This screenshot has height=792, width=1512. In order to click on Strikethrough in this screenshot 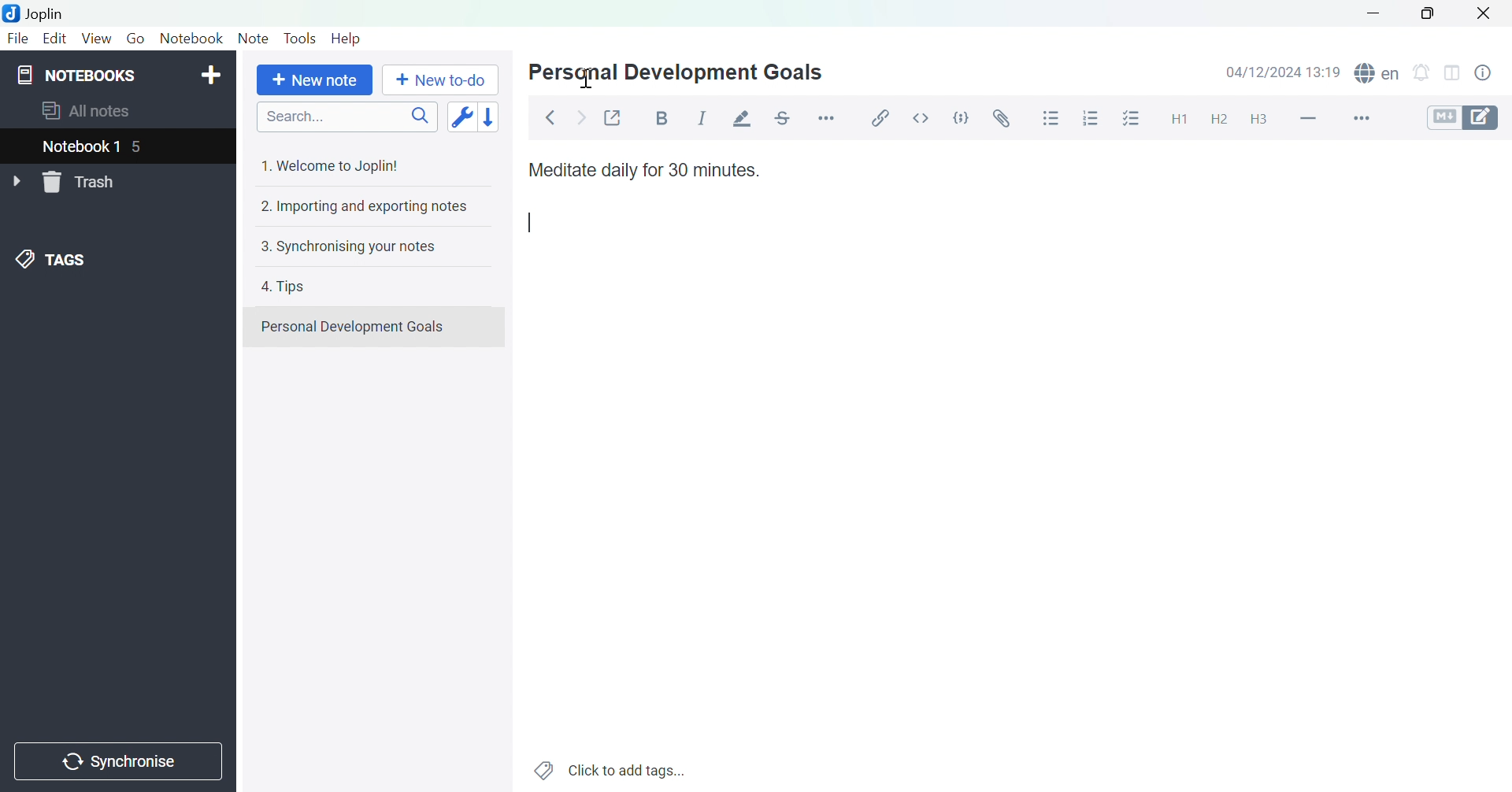, I will do `click(786, 115)`.